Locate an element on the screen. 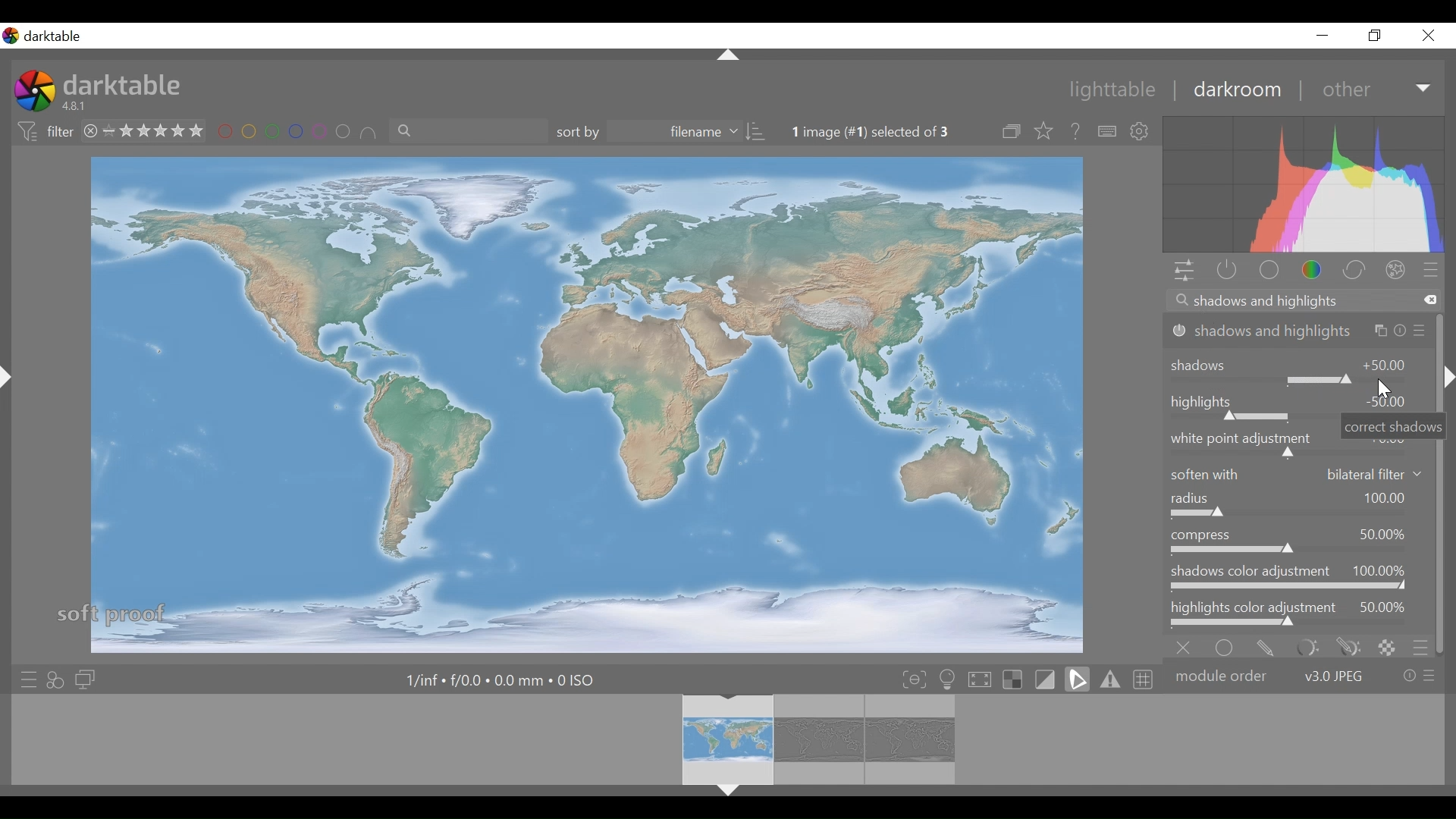  raster mask  is located at coordinates (1386, 646).